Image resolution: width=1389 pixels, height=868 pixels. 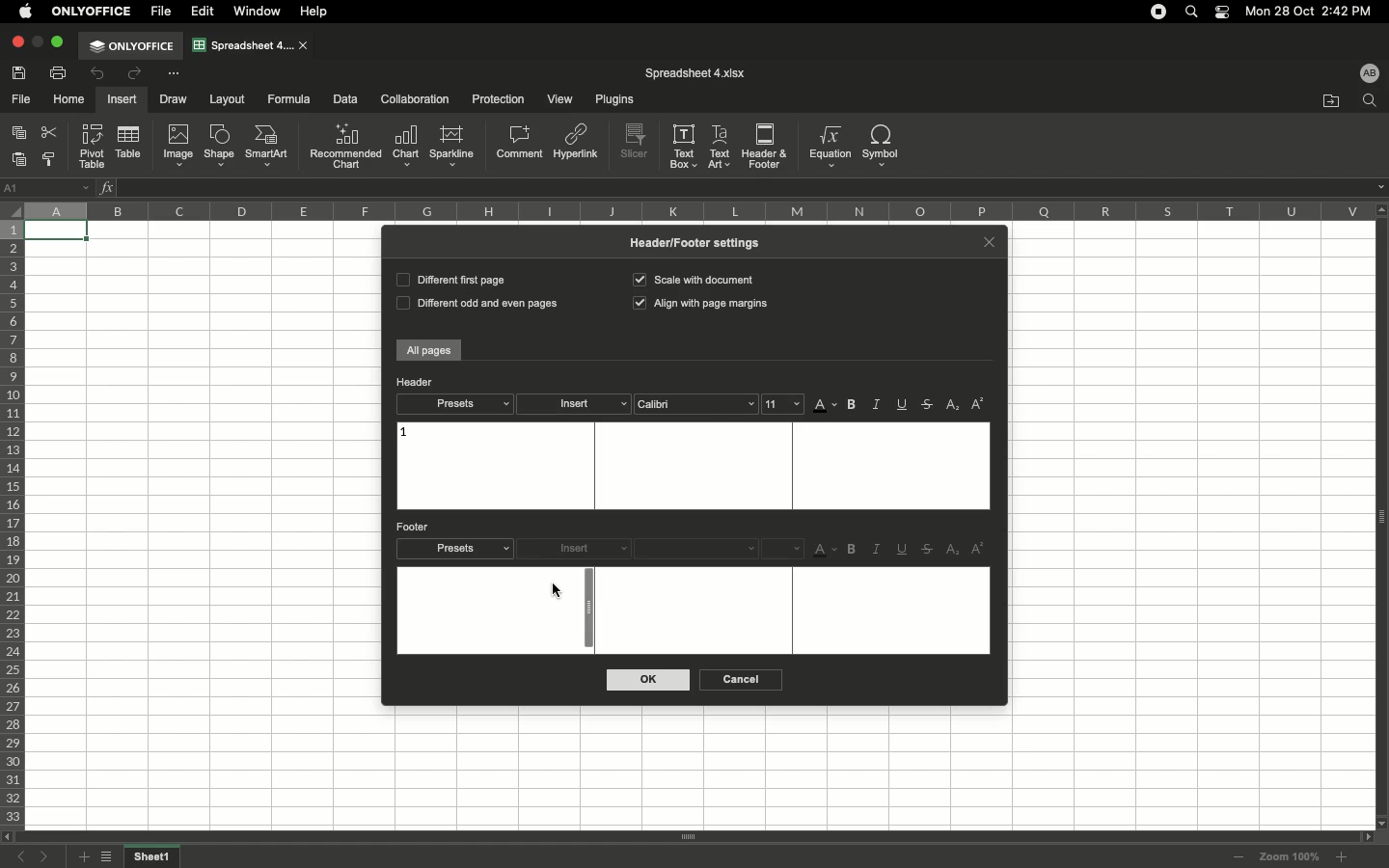 I want to click on Customize tool bar, so click(x=173, y=72).